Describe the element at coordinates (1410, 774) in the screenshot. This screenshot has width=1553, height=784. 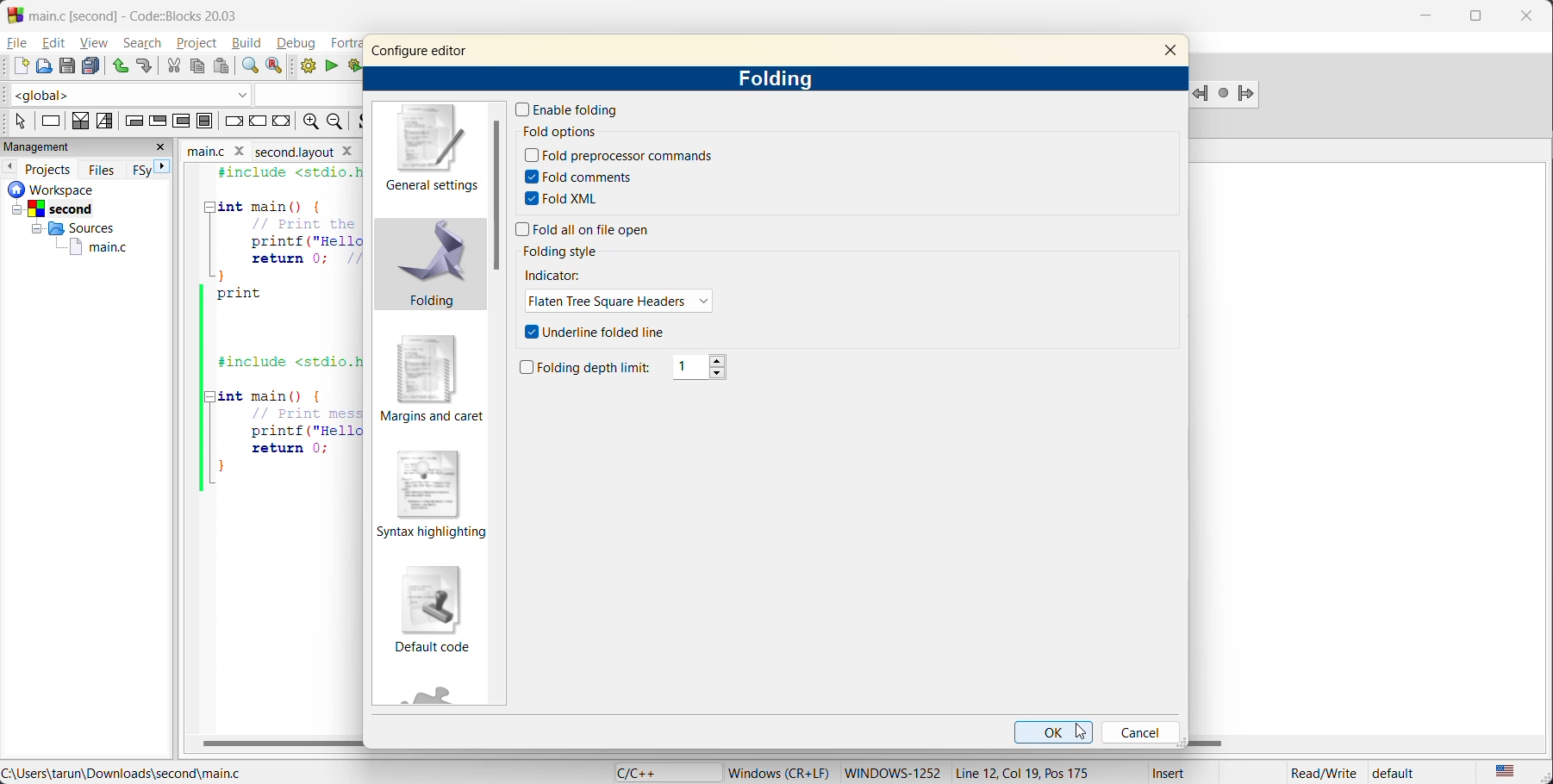
I see `default` at that location.